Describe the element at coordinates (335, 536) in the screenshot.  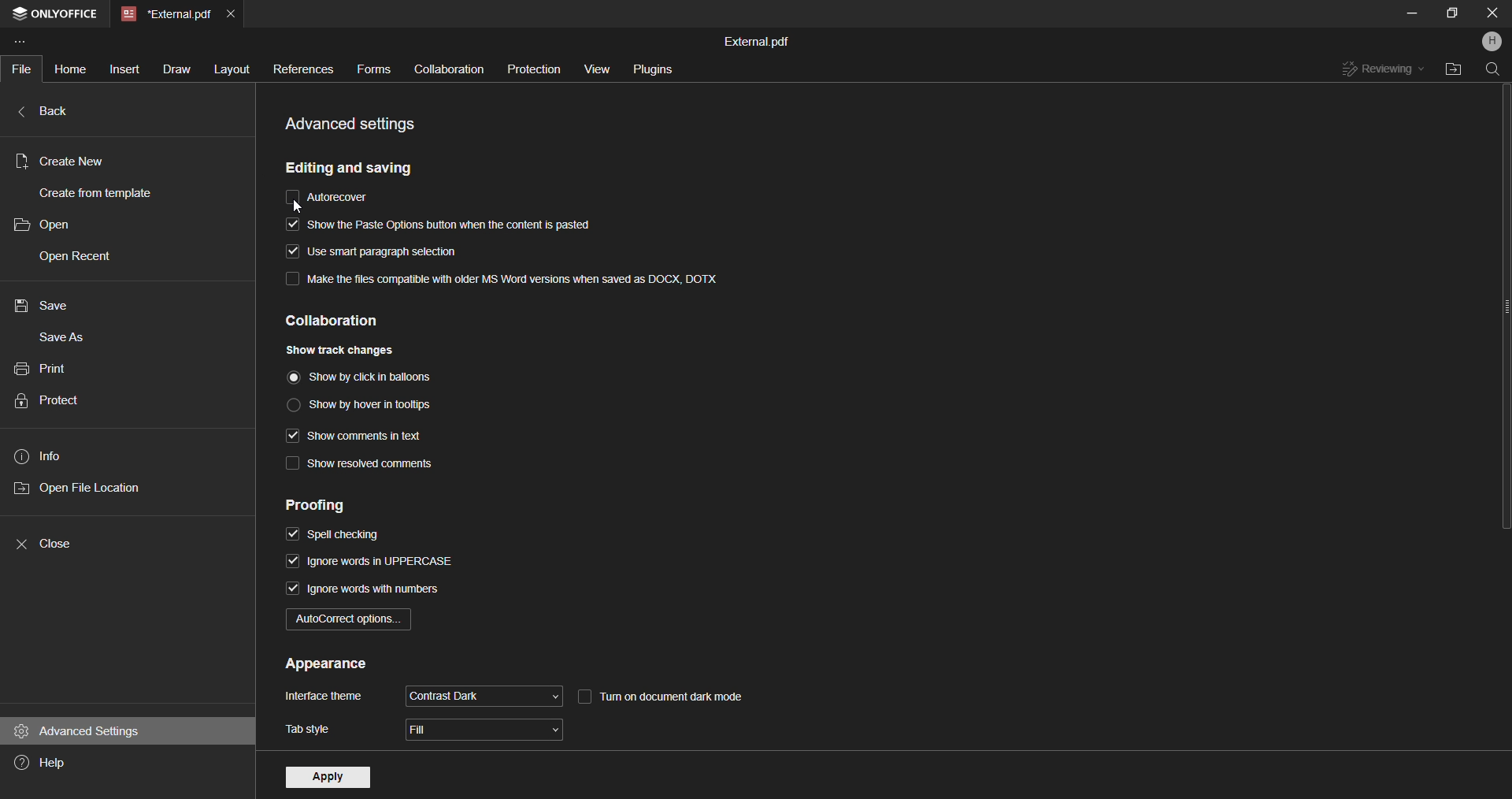
I see `spell checking` at that location.